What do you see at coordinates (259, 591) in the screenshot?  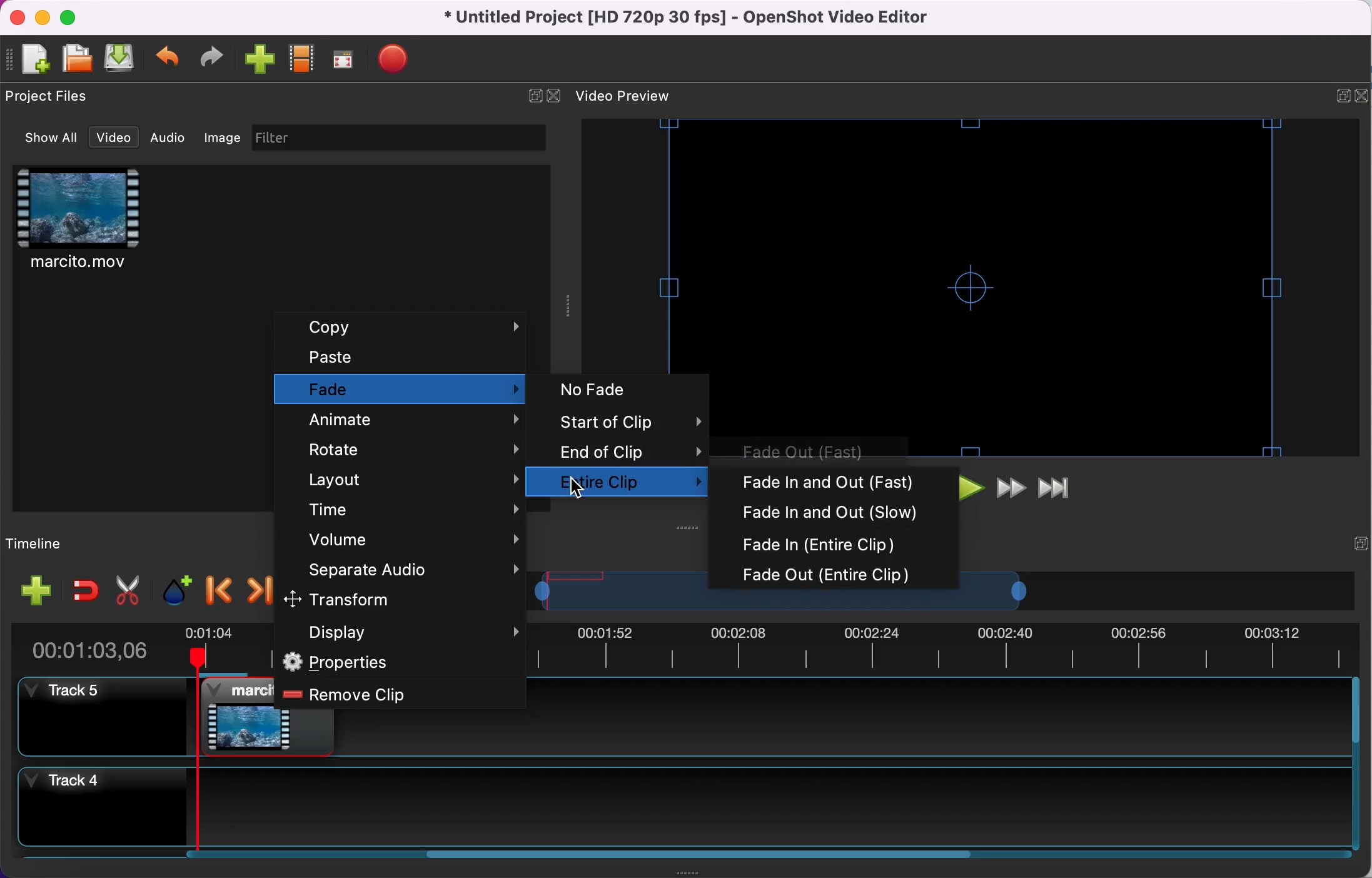 I see `next marker` at bounding box center [259, 591].